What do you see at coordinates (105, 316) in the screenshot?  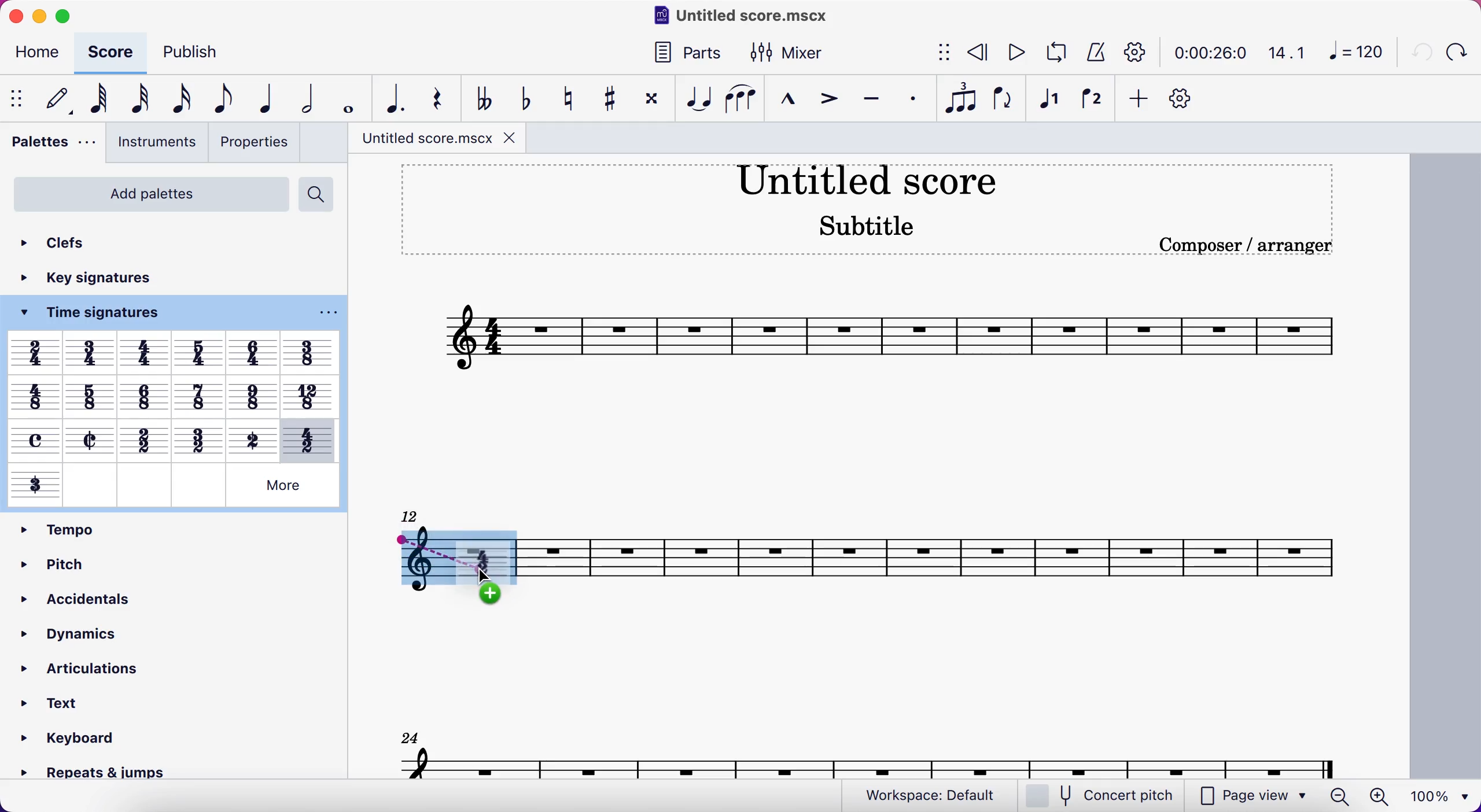 I see `time signatures` at bounding box center [105, 316].